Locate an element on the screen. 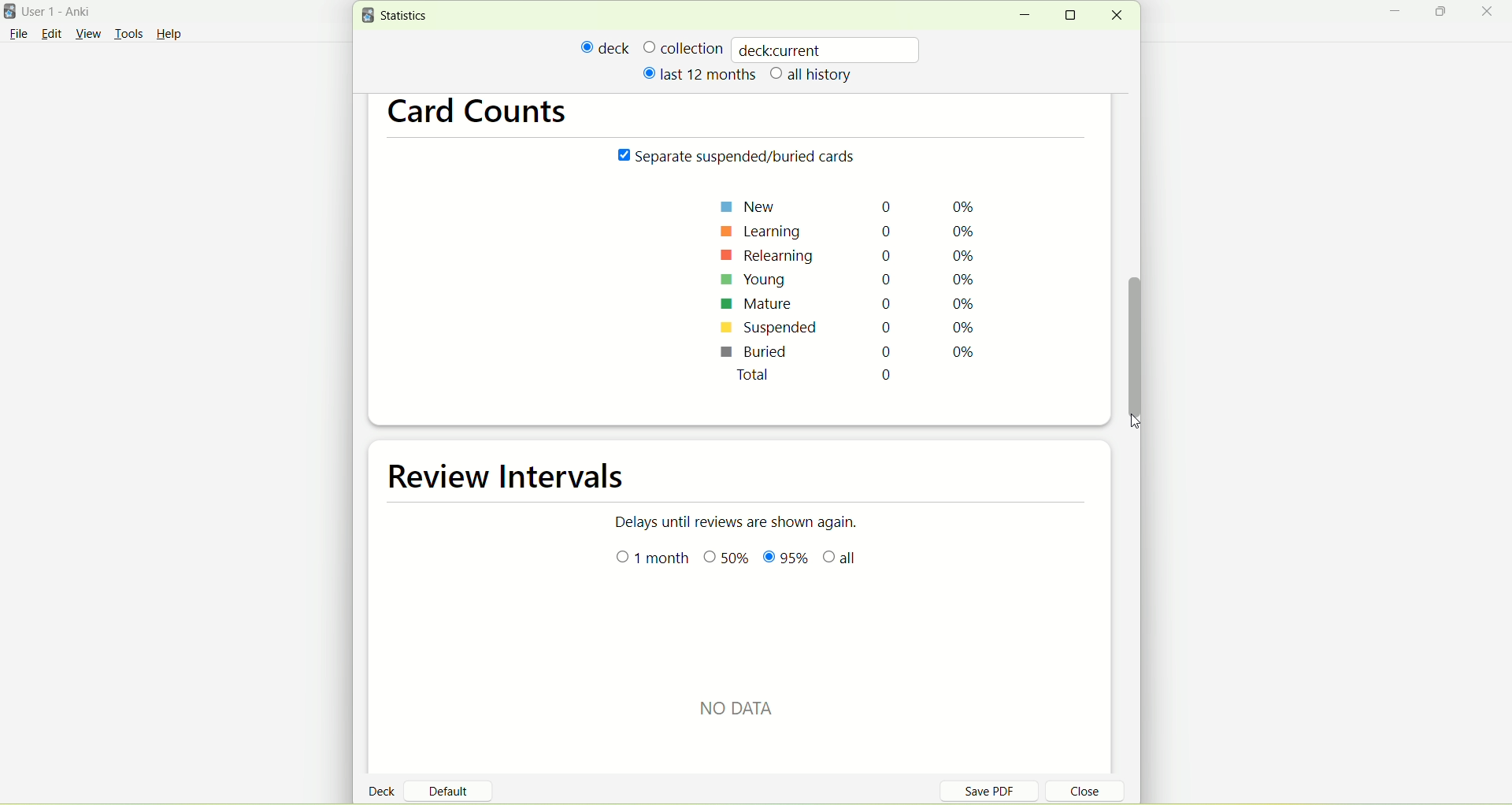 Image resolution: width=1512 pixels, height=805 pixels. last 12 months is located at coordinates (698, 73).